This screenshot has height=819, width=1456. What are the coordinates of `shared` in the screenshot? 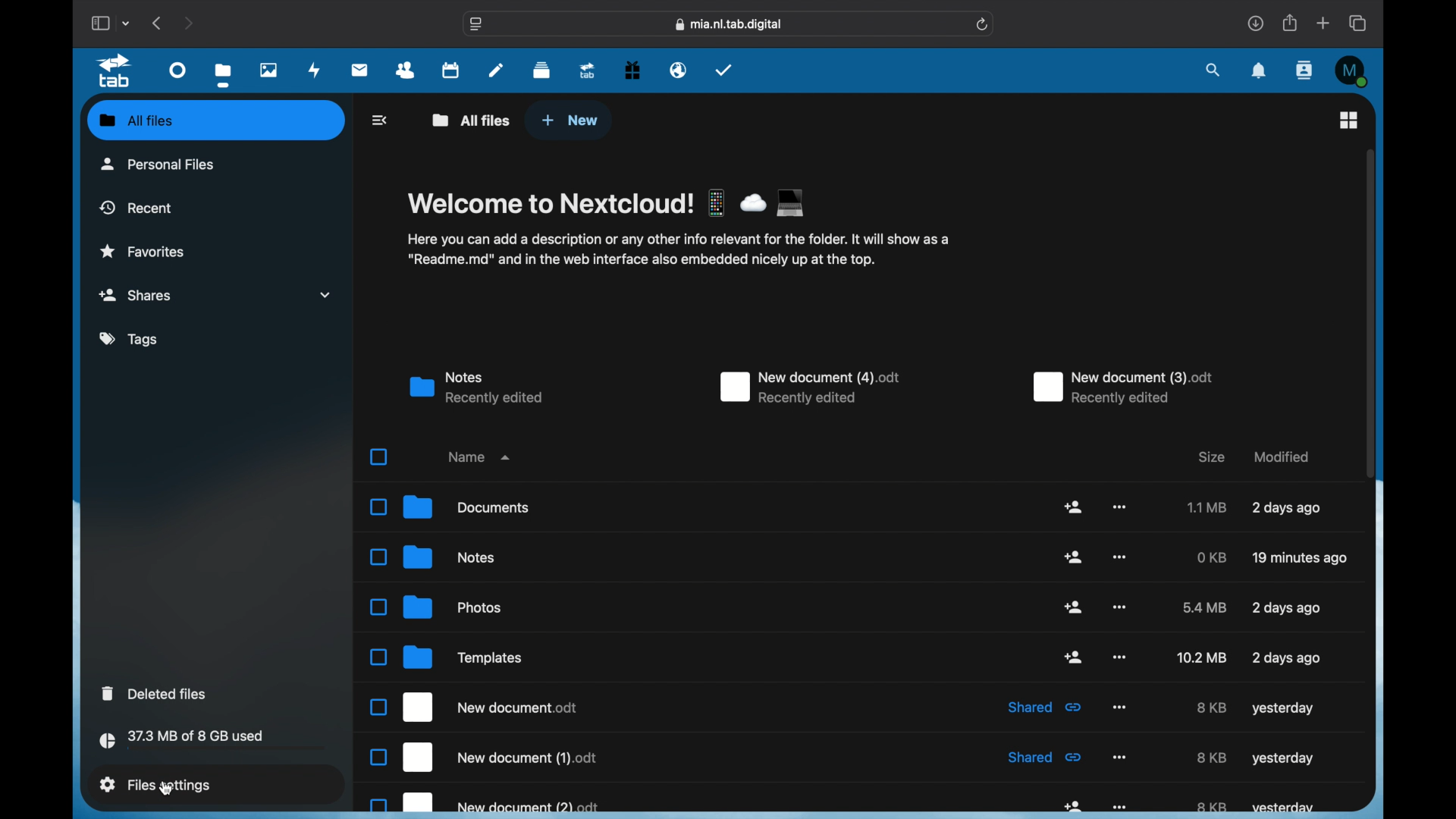 It's located at (1072, 506).